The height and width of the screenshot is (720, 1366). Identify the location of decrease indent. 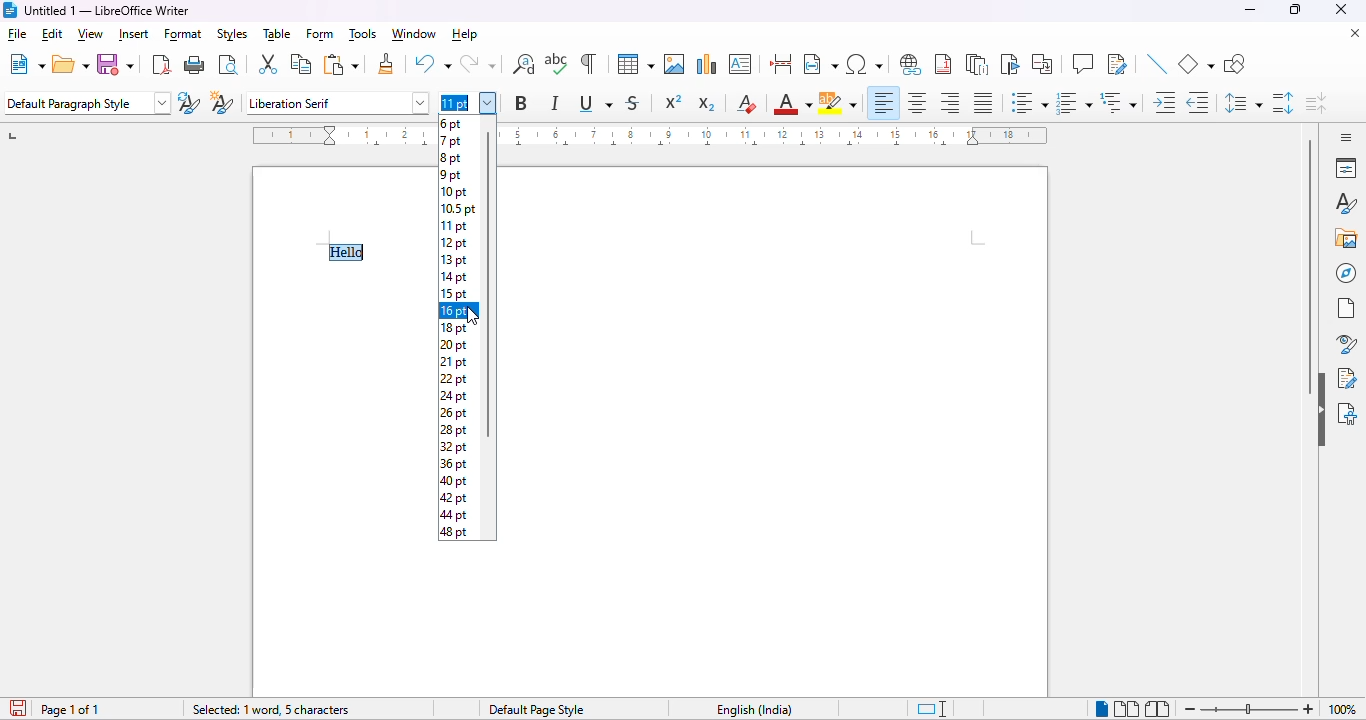
(1198, 103).